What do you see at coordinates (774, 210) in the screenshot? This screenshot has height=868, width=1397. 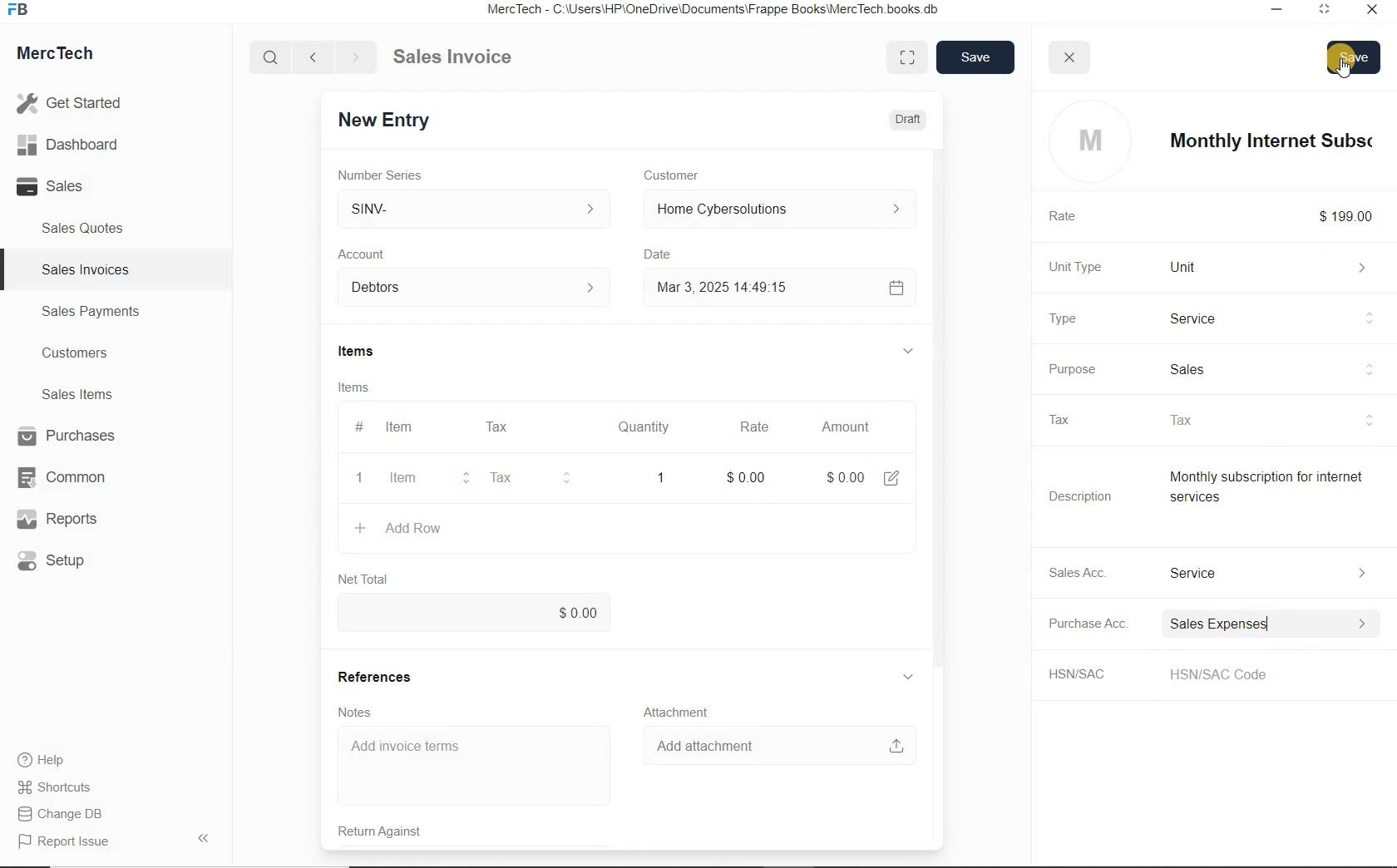 I see `Home Cyber Solutions` at bounding box center [774, 210].